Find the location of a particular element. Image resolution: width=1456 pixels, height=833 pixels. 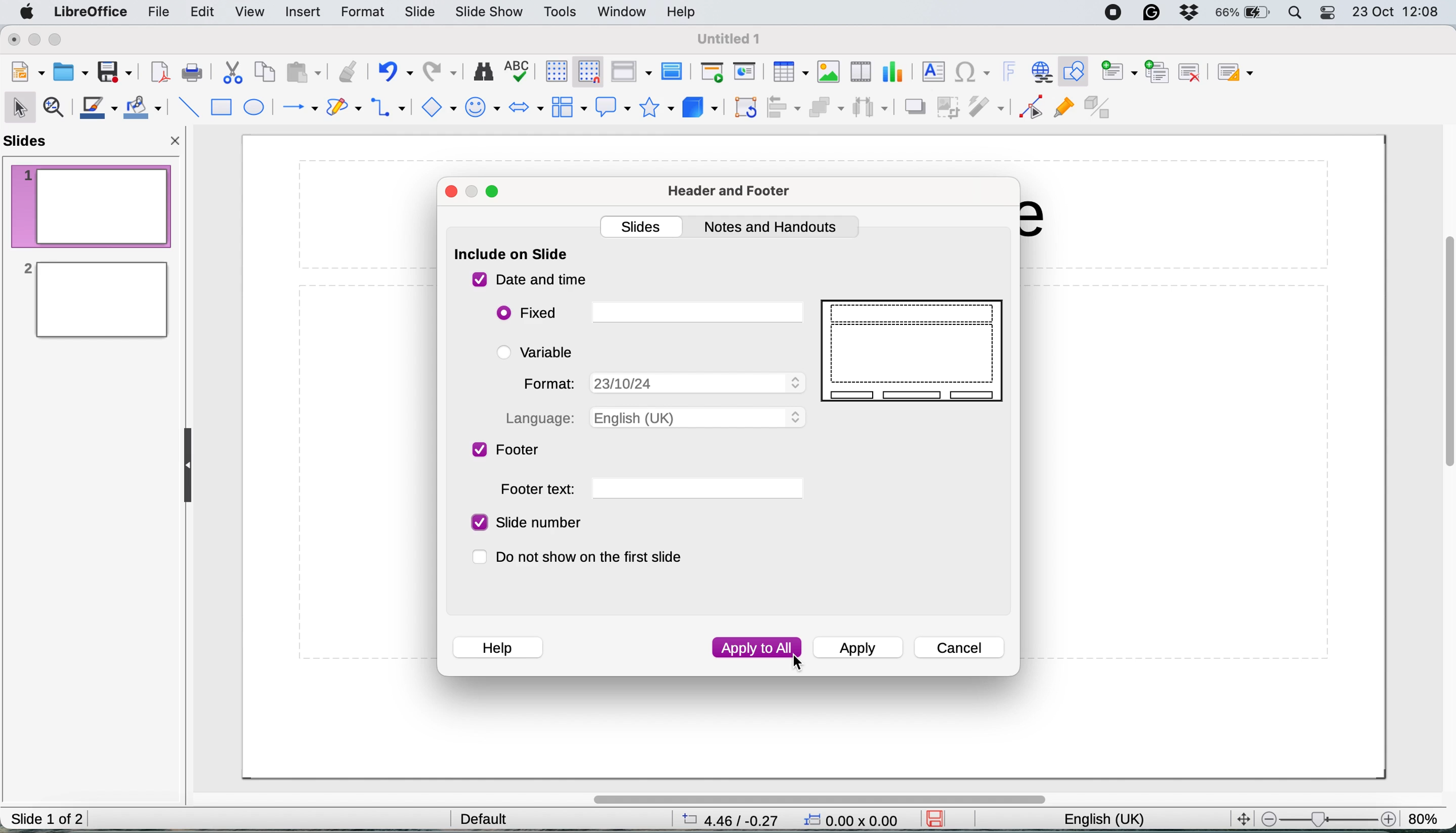

slides is located at coordinates (30, 142).